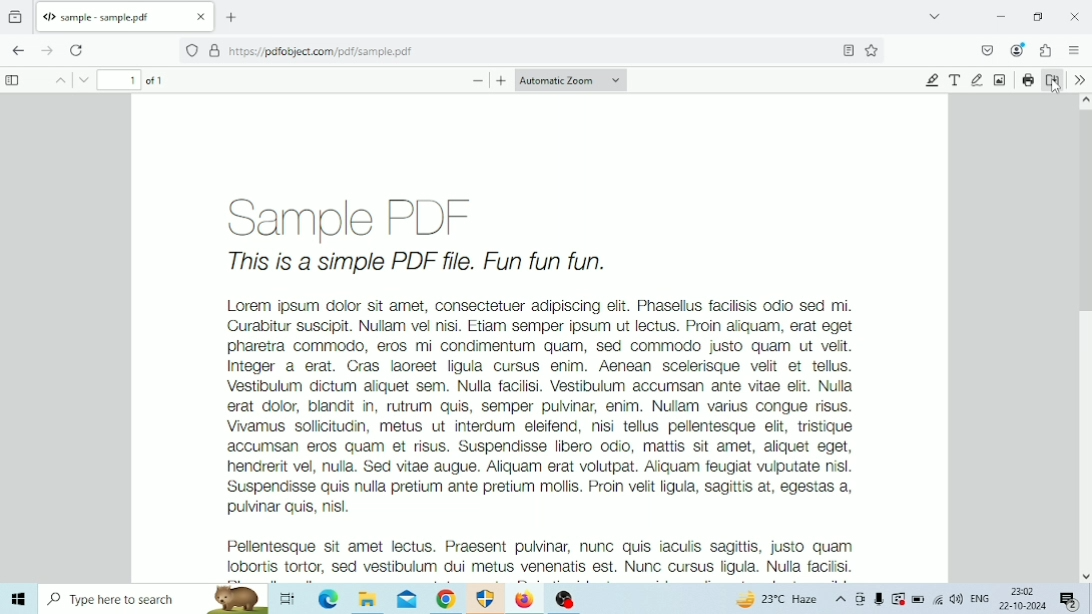 The height and width of the screenshot is (614, 1092). What do you see at coordinates (55, 80) in the screenshot?
I see `Previous page` at bounding box center [55, 80].